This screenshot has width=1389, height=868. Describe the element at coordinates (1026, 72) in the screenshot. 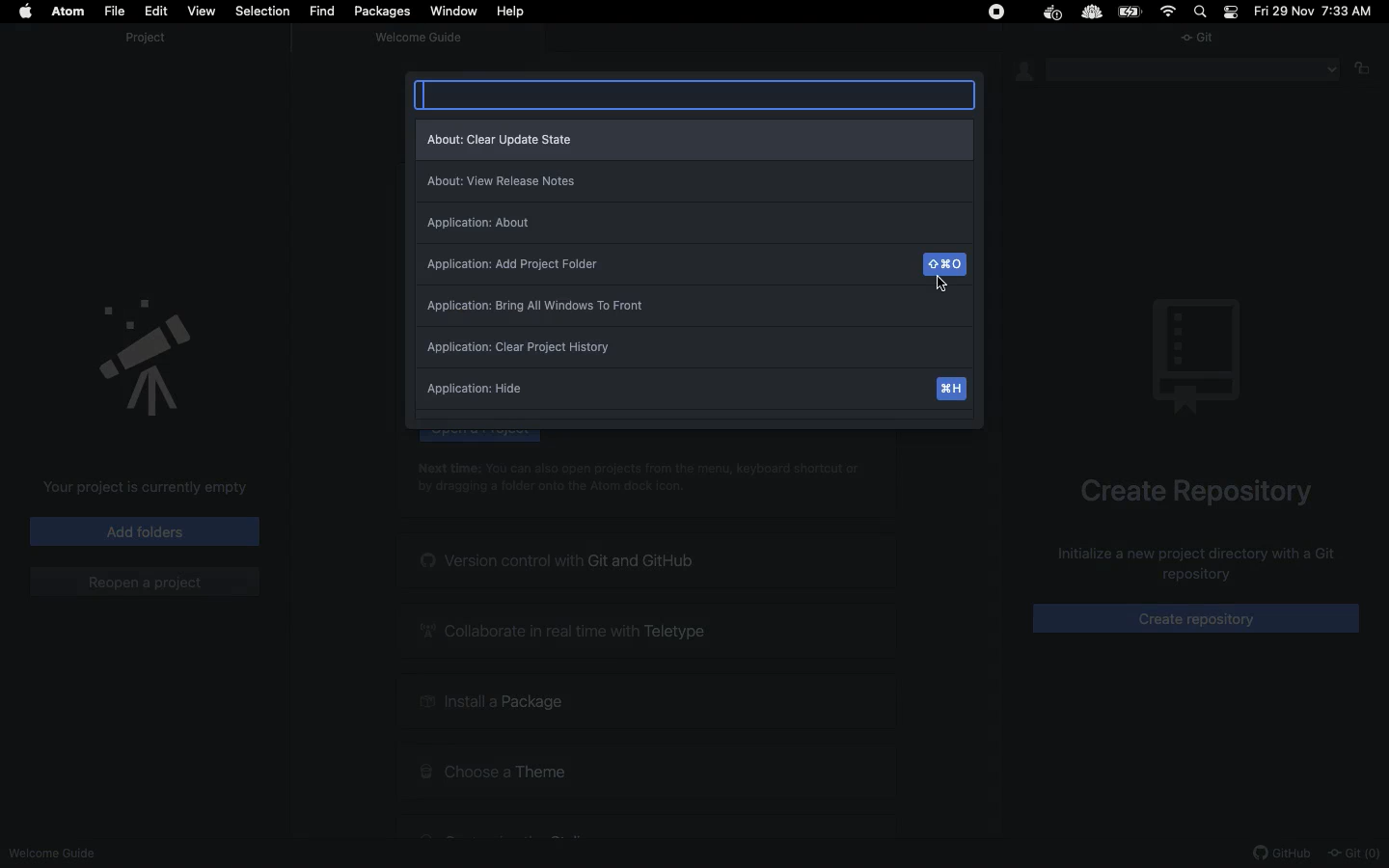

I see `Git identity ` at that location.